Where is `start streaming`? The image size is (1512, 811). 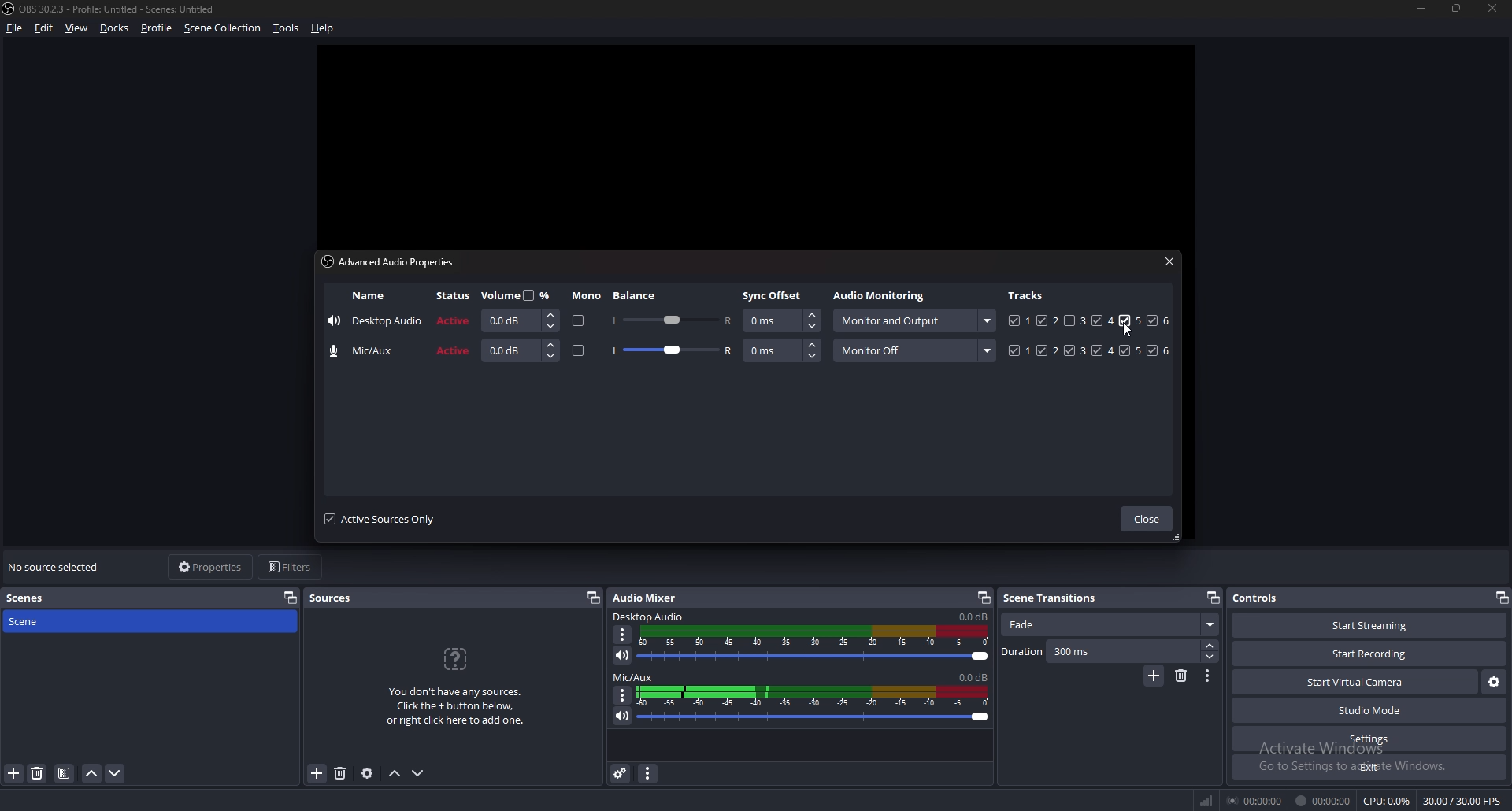 start streaming is located at coordinates (1360, 626).